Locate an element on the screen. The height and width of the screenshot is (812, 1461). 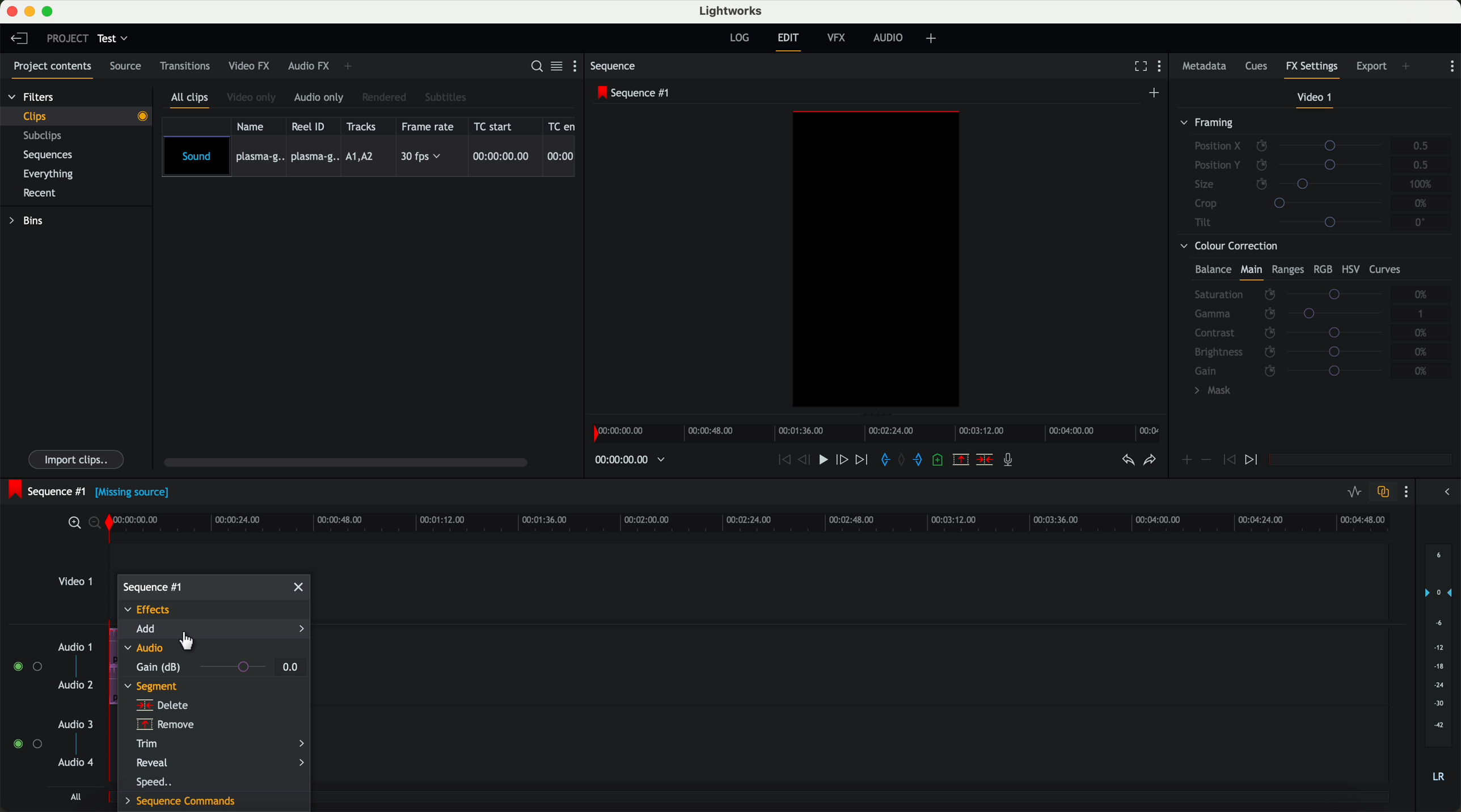
TC start is located at coordinates (498, 126).